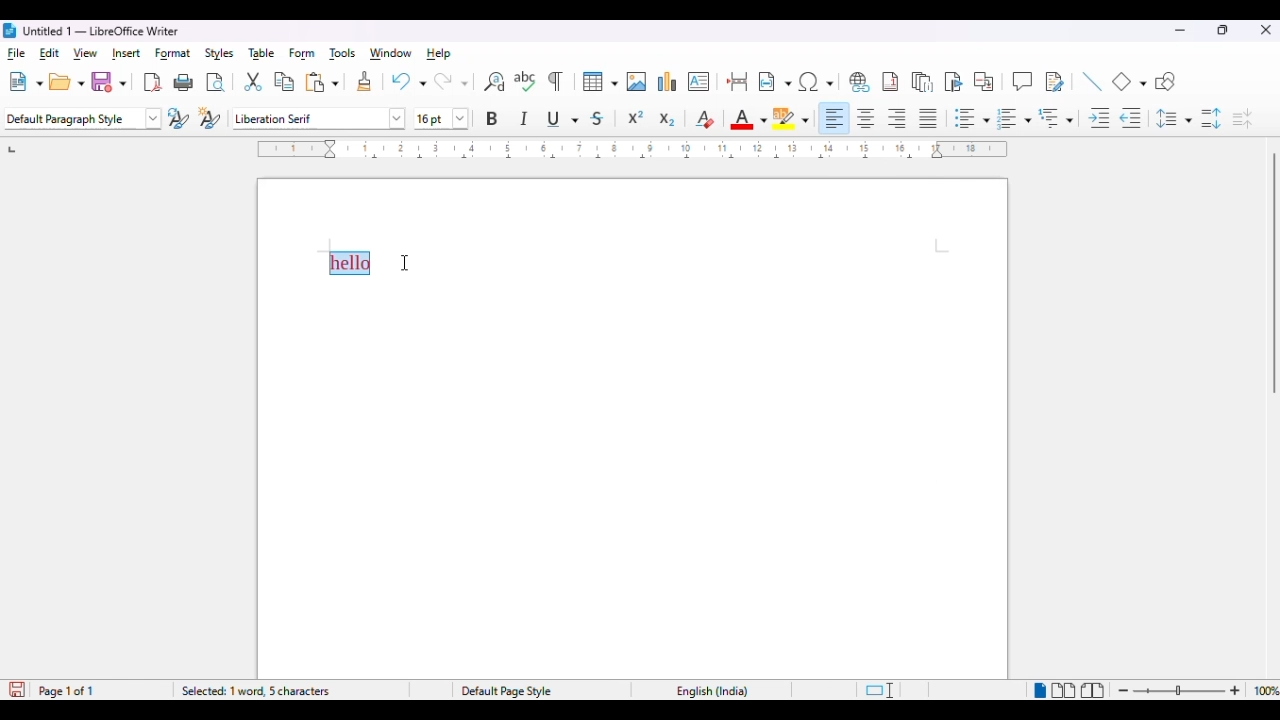  What do you see at coordinates (1038, 691) in the screenshot?
I see `single-page view` at bounding box center [1038, 691].